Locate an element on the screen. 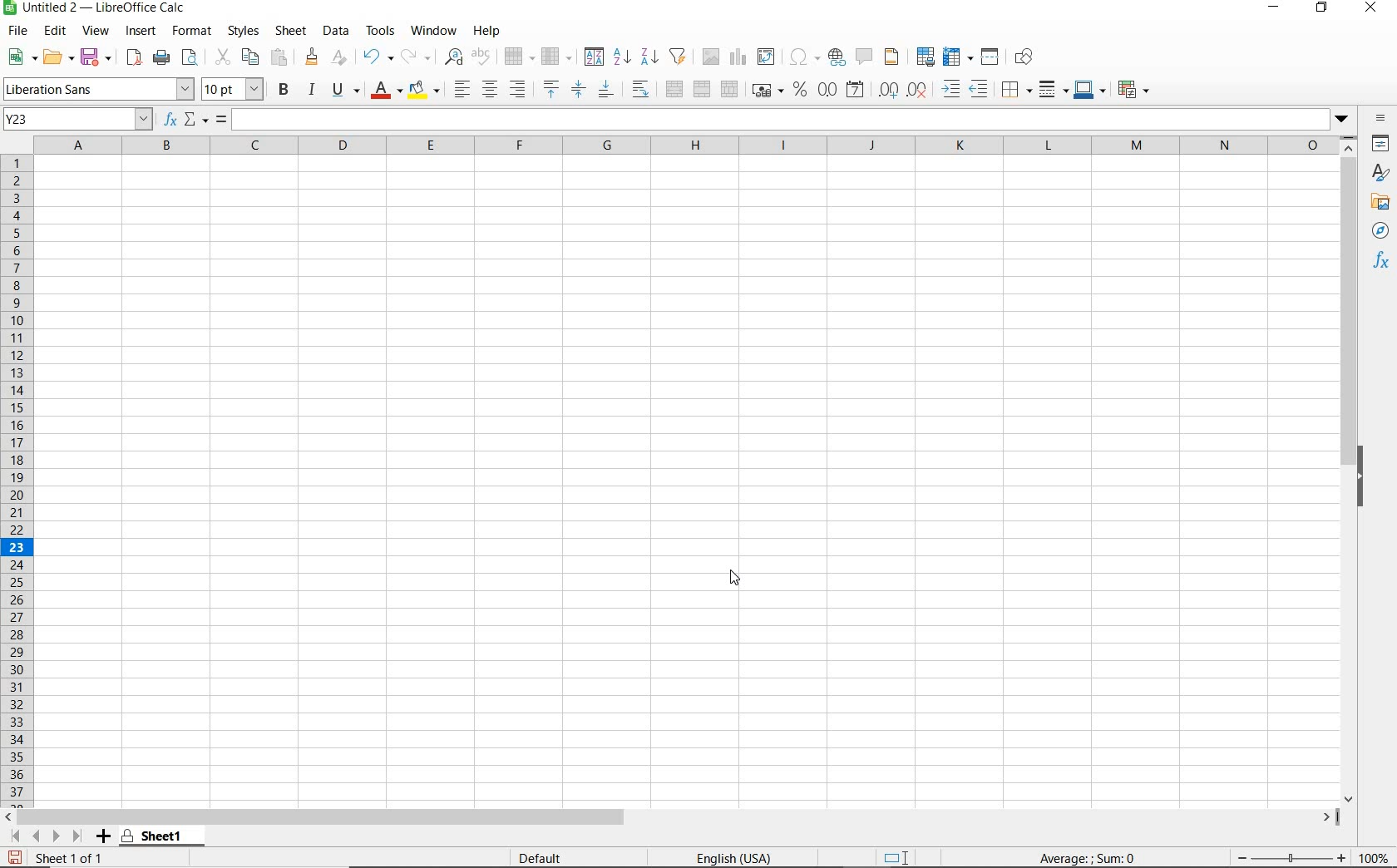  FORMULA is located at coordinates (1088, 859).